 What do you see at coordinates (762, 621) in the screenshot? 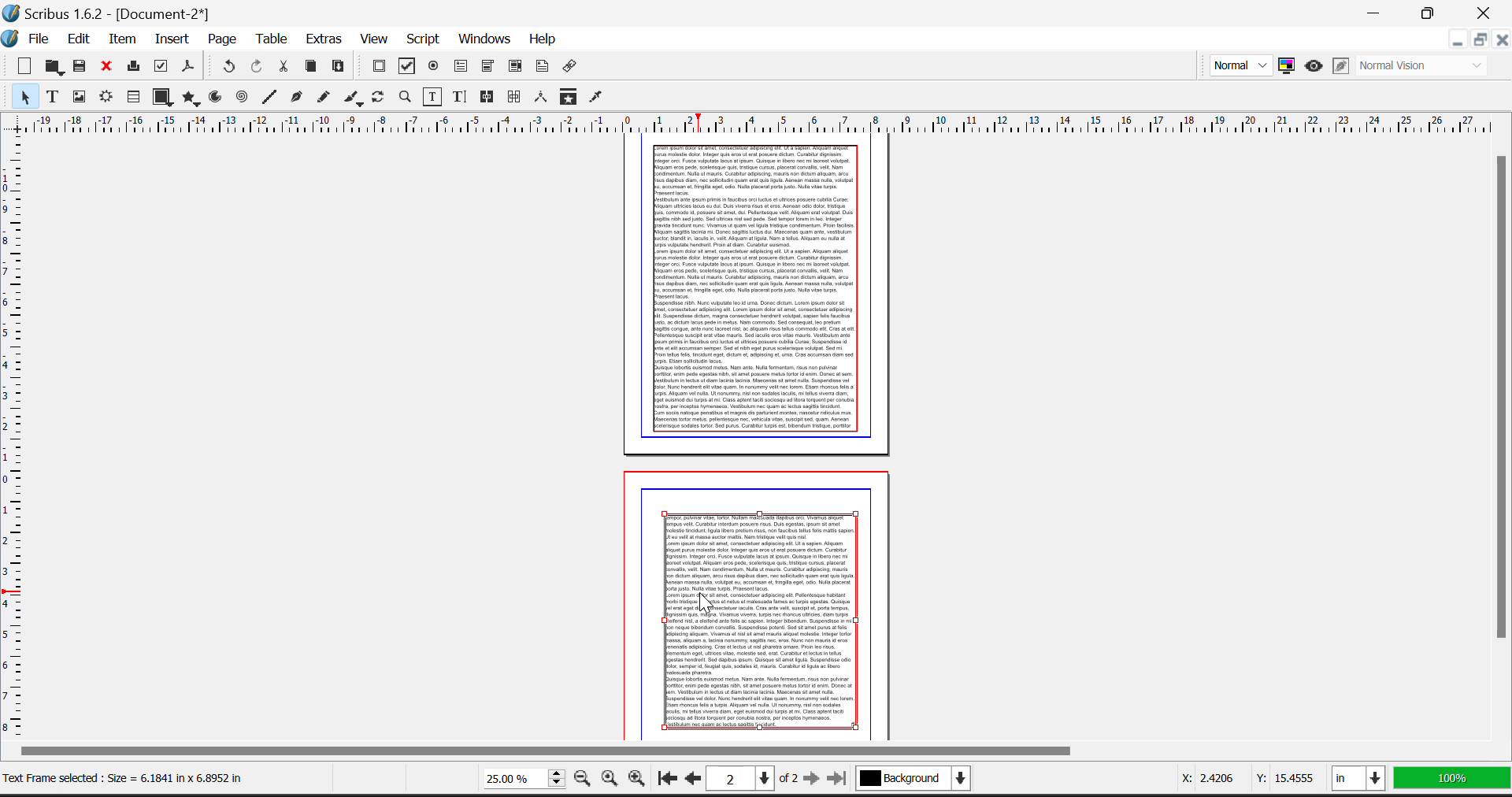
I see `Page 2 Text Frame Linked and Text Flowed to Frame` at bounding box center [762, 621].